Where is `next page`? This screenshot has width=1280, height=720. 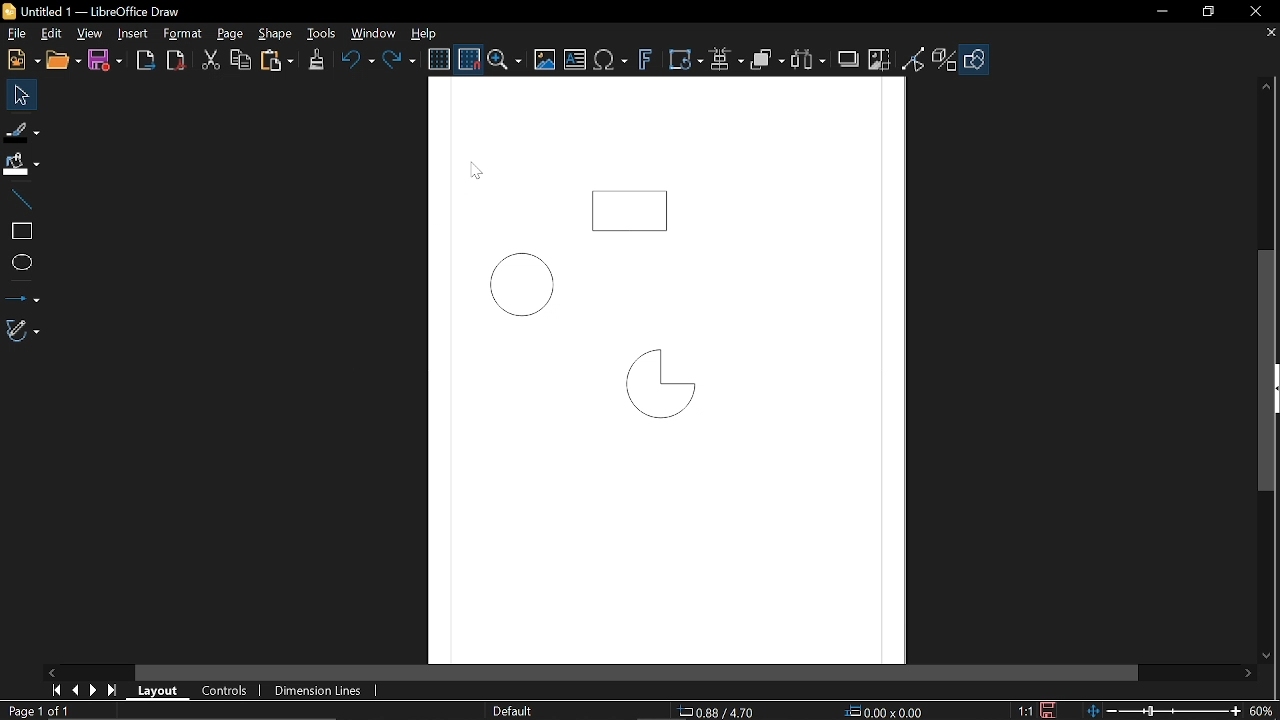 next page is located at coordinates (89, 690).